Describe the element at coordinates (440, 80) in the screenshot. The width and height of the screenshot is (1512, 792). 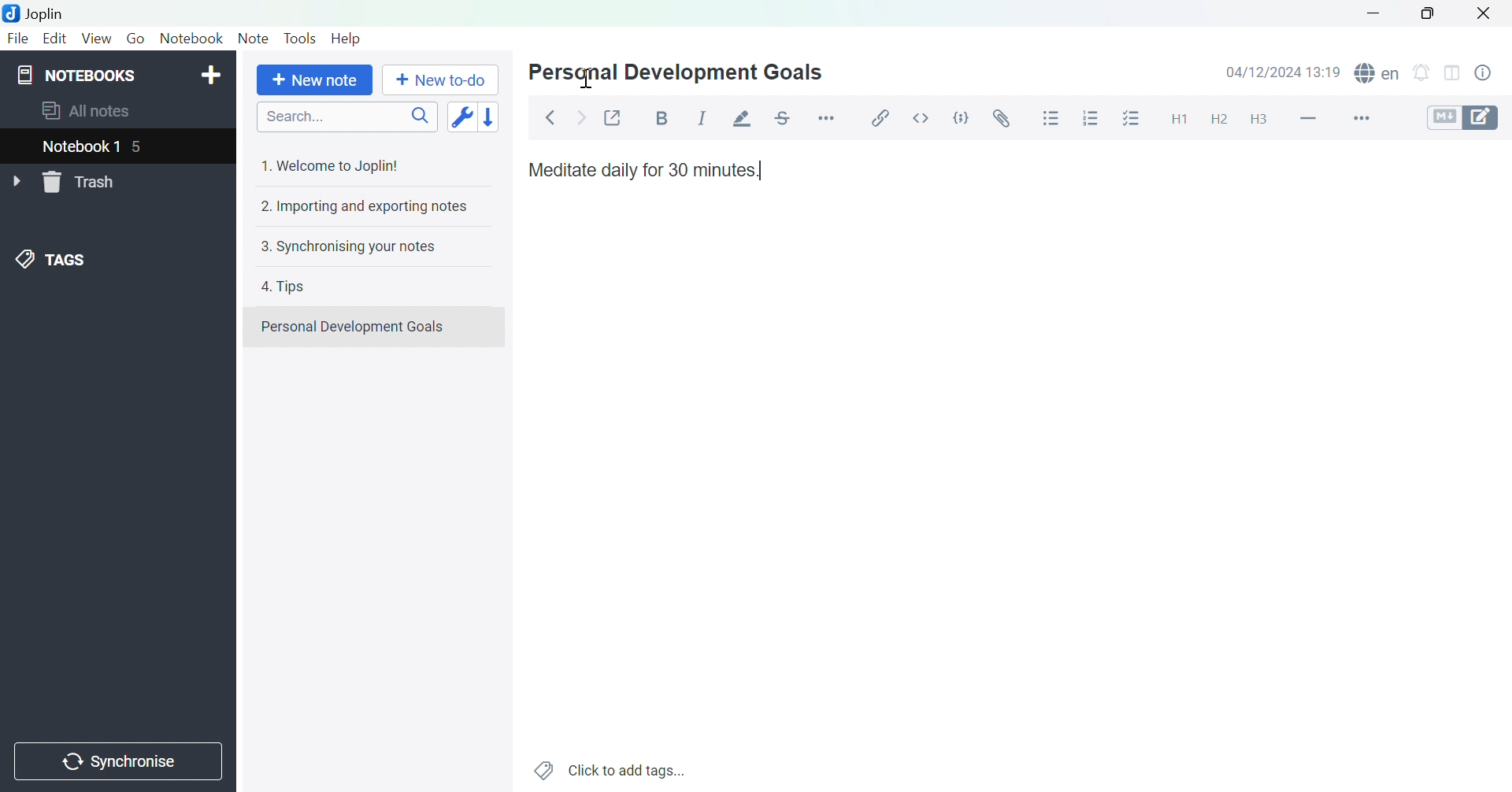
I see `New to-do` at that location.